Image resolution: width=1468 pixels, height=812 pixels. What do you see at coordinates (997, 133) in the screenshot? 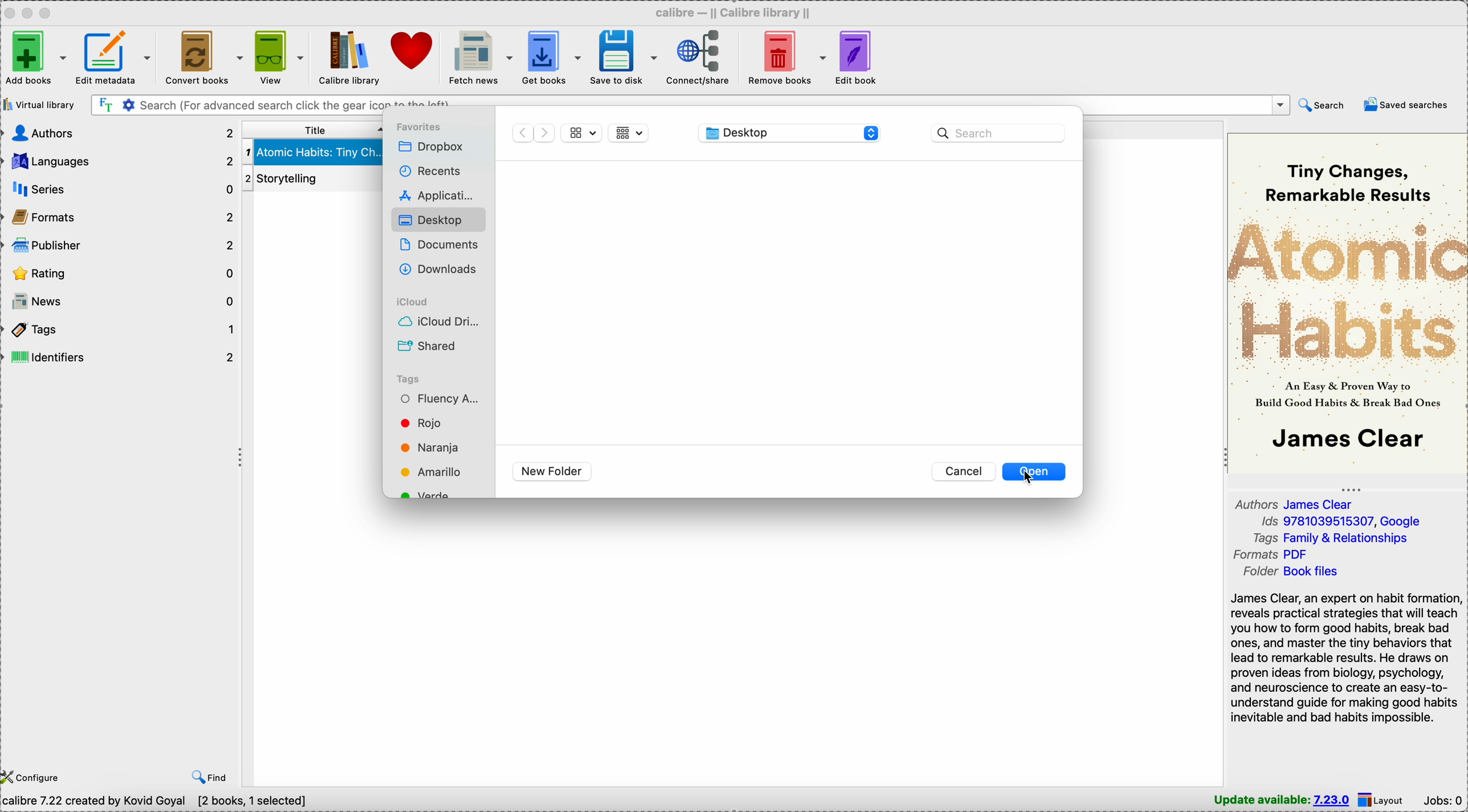
I see `search` at bounding box center [997, 133].